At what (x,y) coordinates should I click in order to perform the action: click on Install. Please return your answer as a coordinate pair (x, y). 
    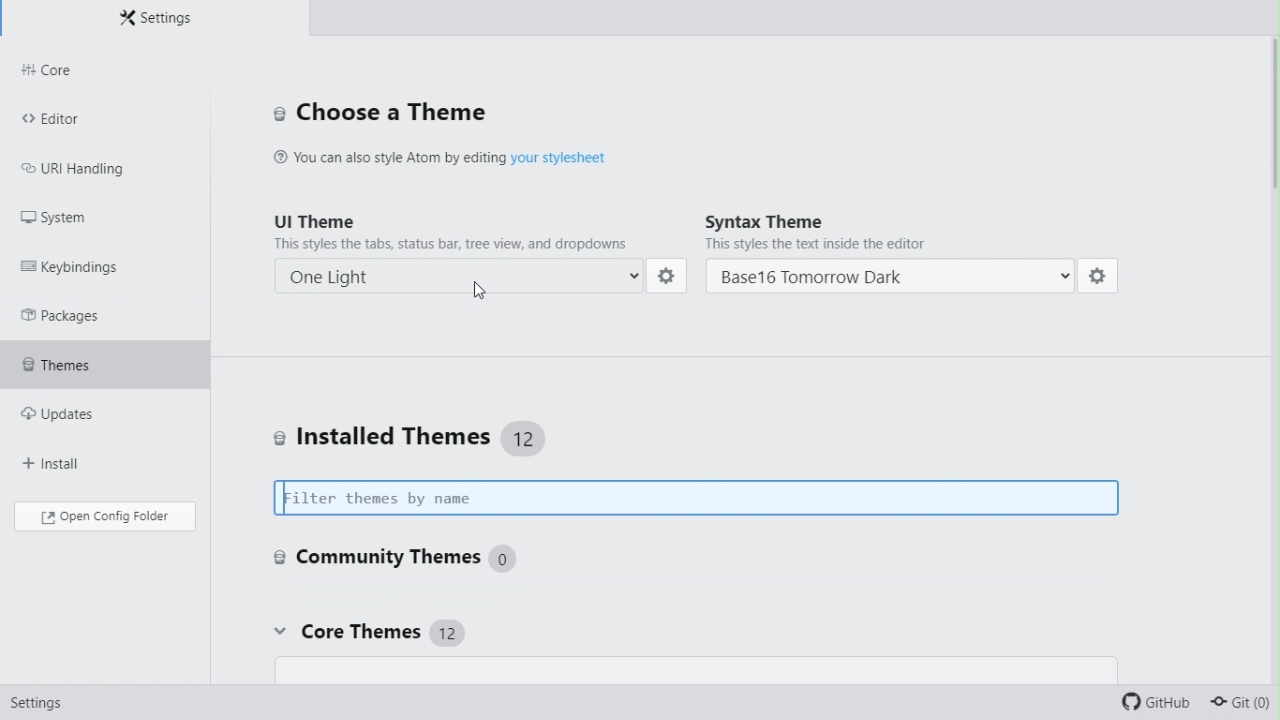
    Looking at the image, I should click on (77, 454).